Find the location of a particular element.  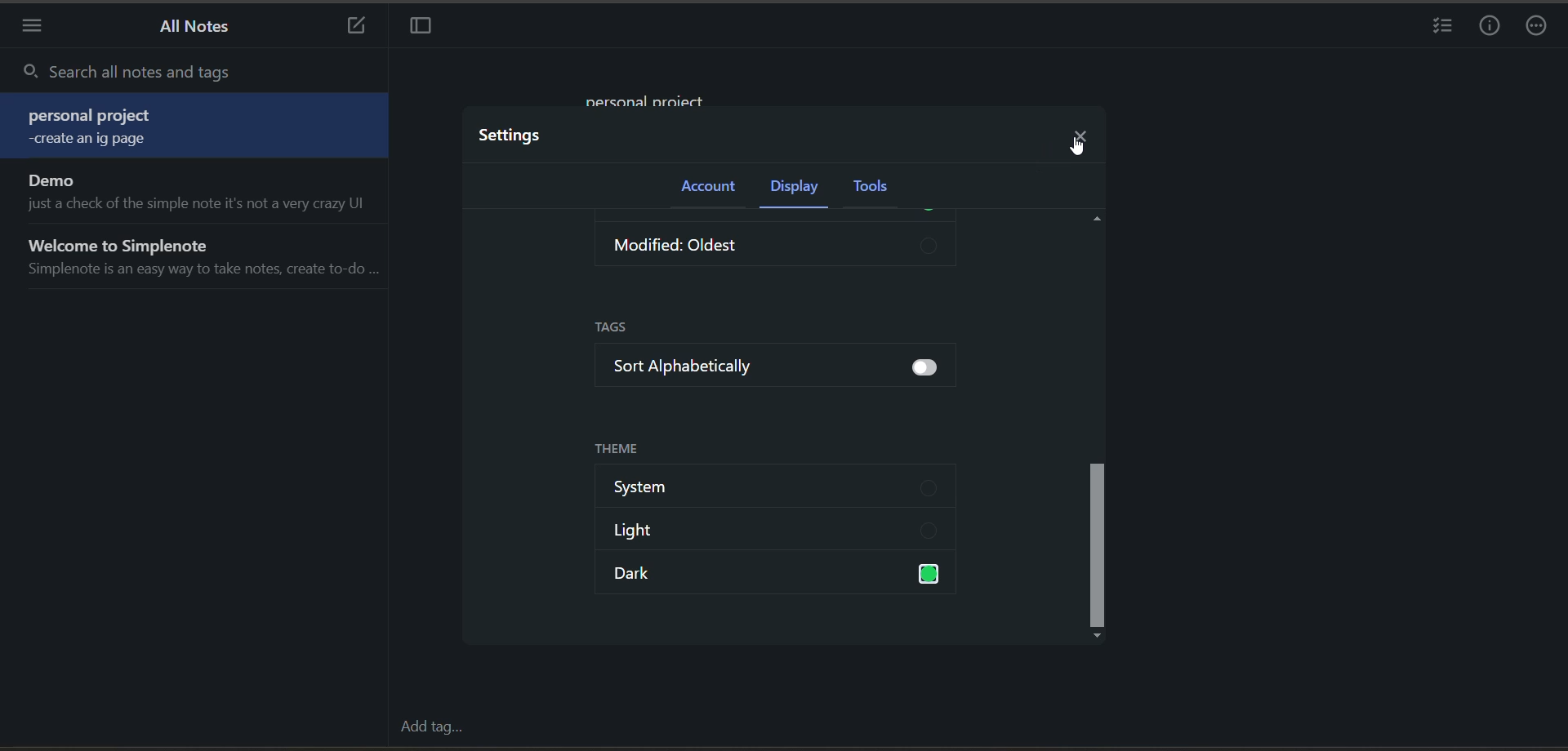

all notes is located at coordinates (201, 31).